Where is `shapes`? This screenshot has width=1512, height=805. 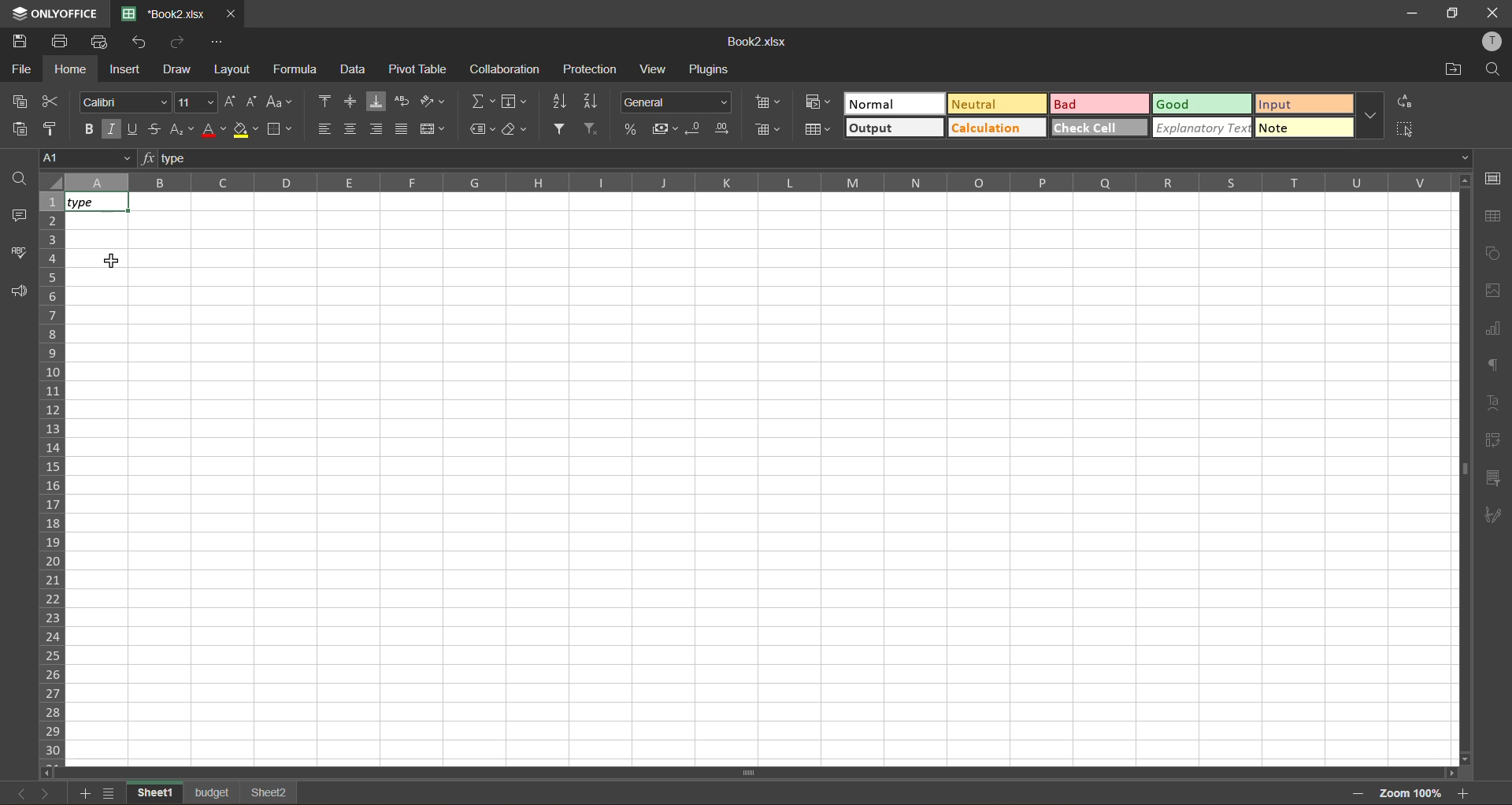 shapes is located at coordinates (1495, 257).